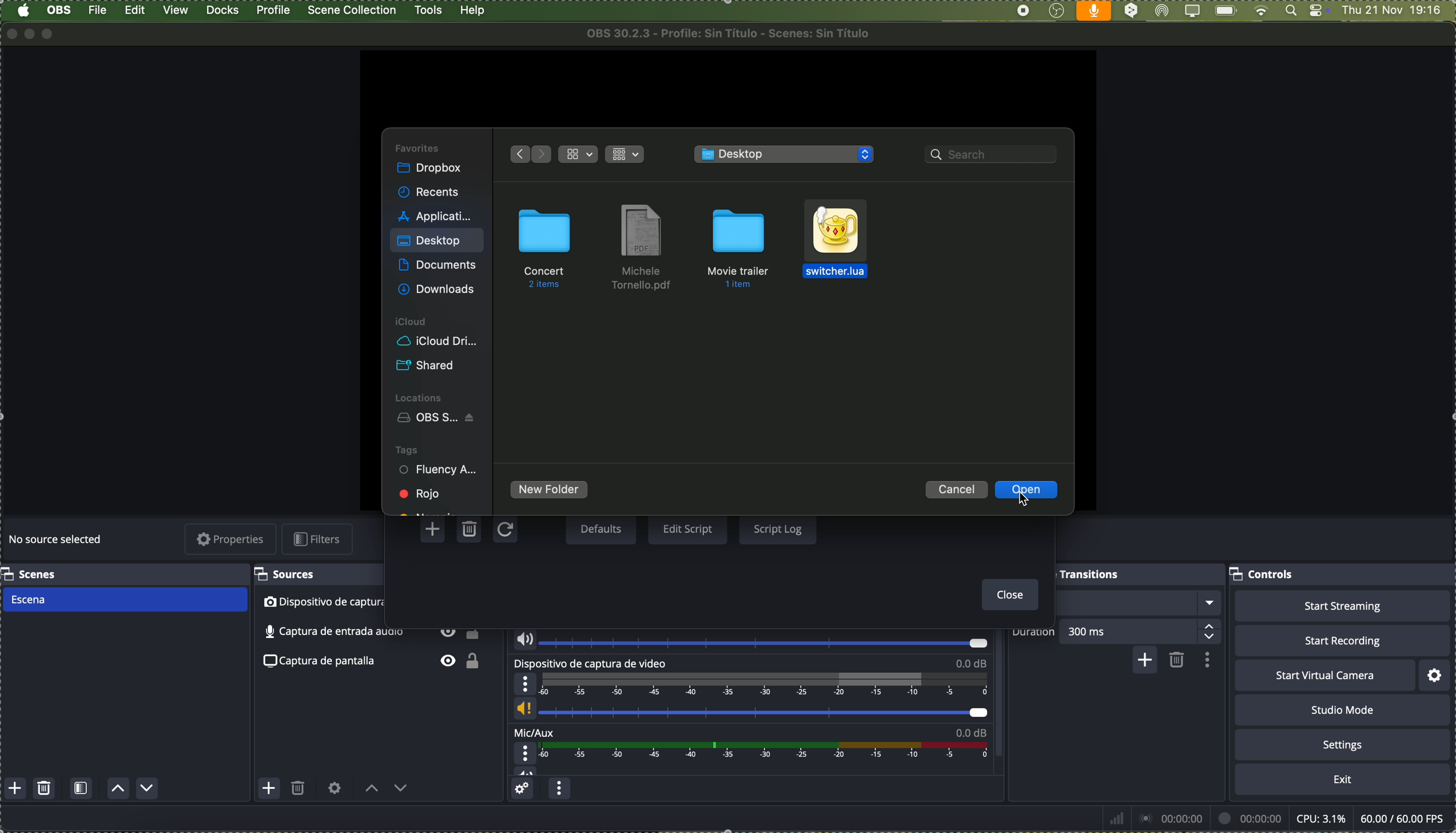  What do you see at coordinates (642, 248) in the screenshot?
I see `file` at bounding box center [642, 248].